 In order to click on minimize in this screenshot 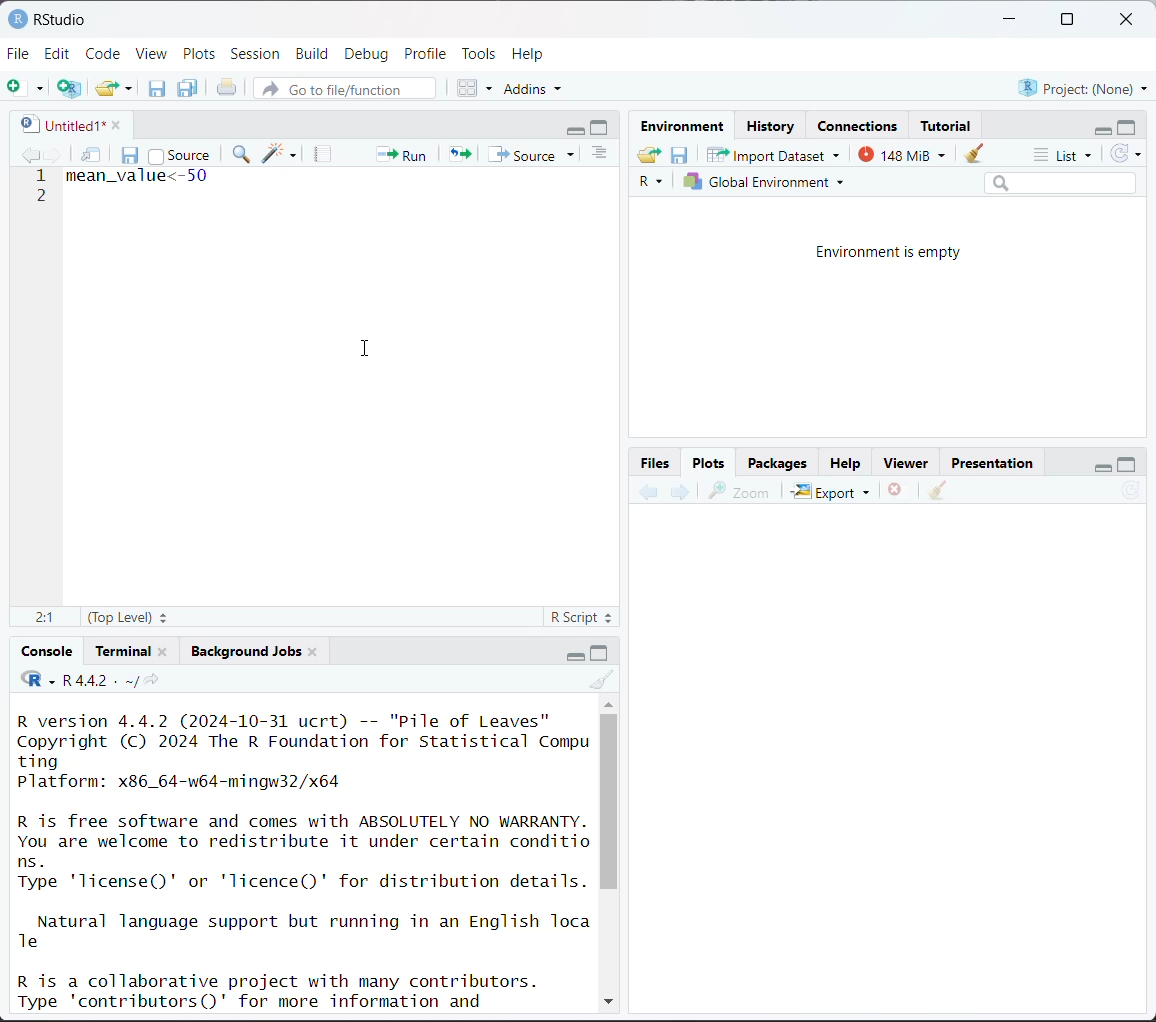, I will do `click(1011, 20)`.